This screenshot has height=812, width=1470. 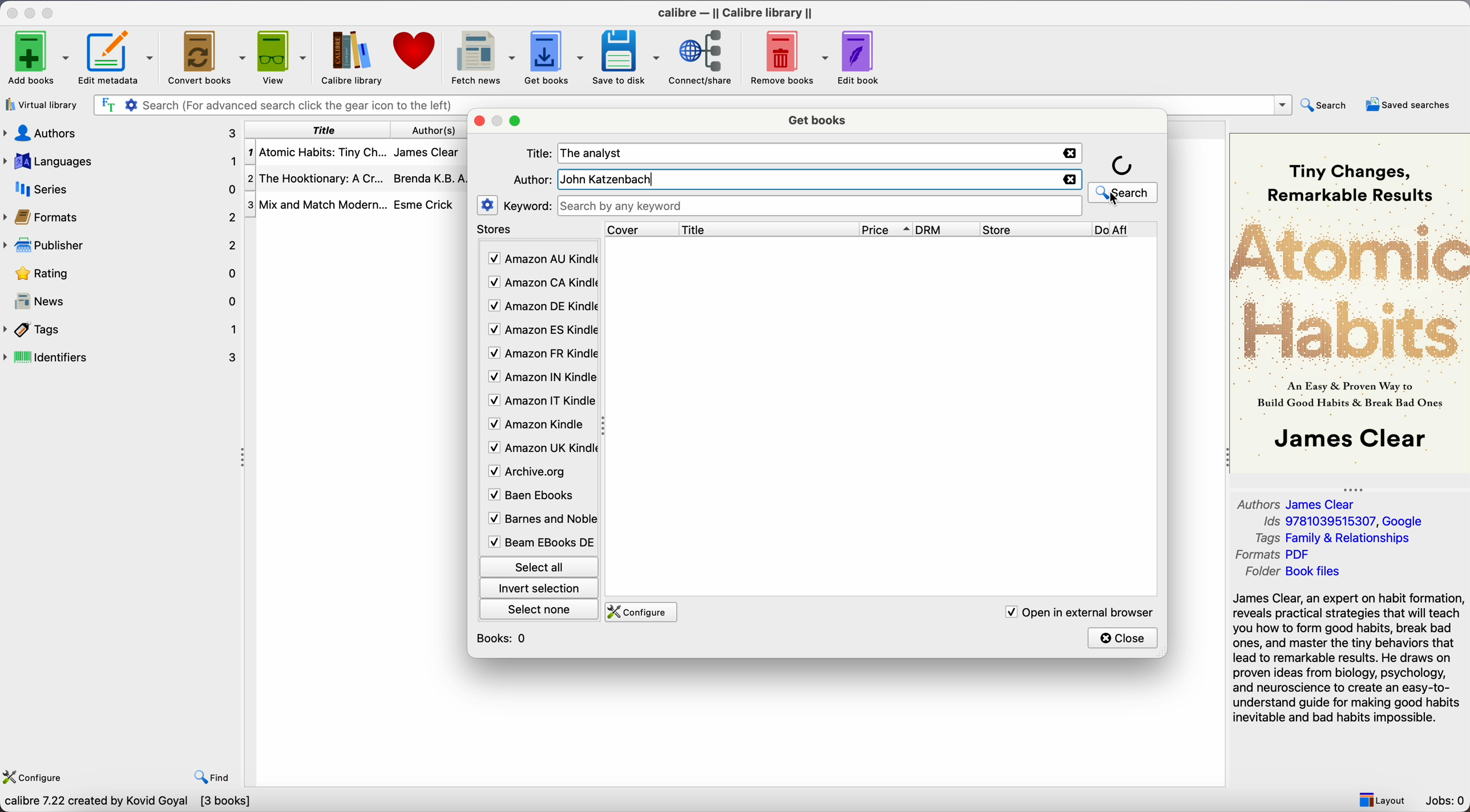 What do you see at coordinates (689, 103) in the screenshot?
I see `search bar` at bounding box center [689, 103].